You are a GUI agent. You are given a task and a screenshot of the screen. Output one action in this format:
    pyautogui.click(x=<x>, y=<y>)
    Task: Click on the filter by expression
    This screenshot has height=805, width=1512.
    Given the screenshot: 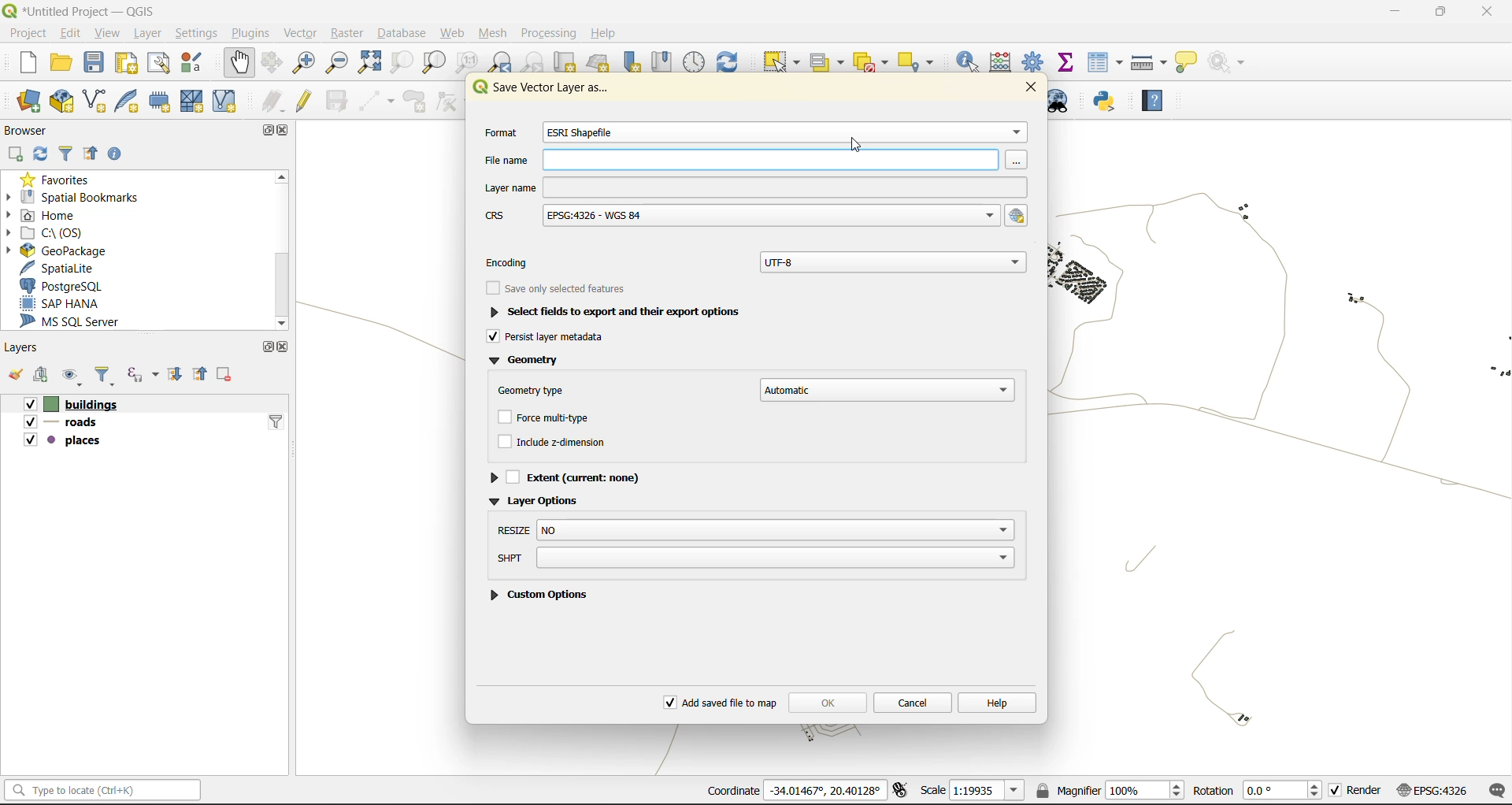 What is the action you would take?
    pyautogui.click(x=143, y=376)
    